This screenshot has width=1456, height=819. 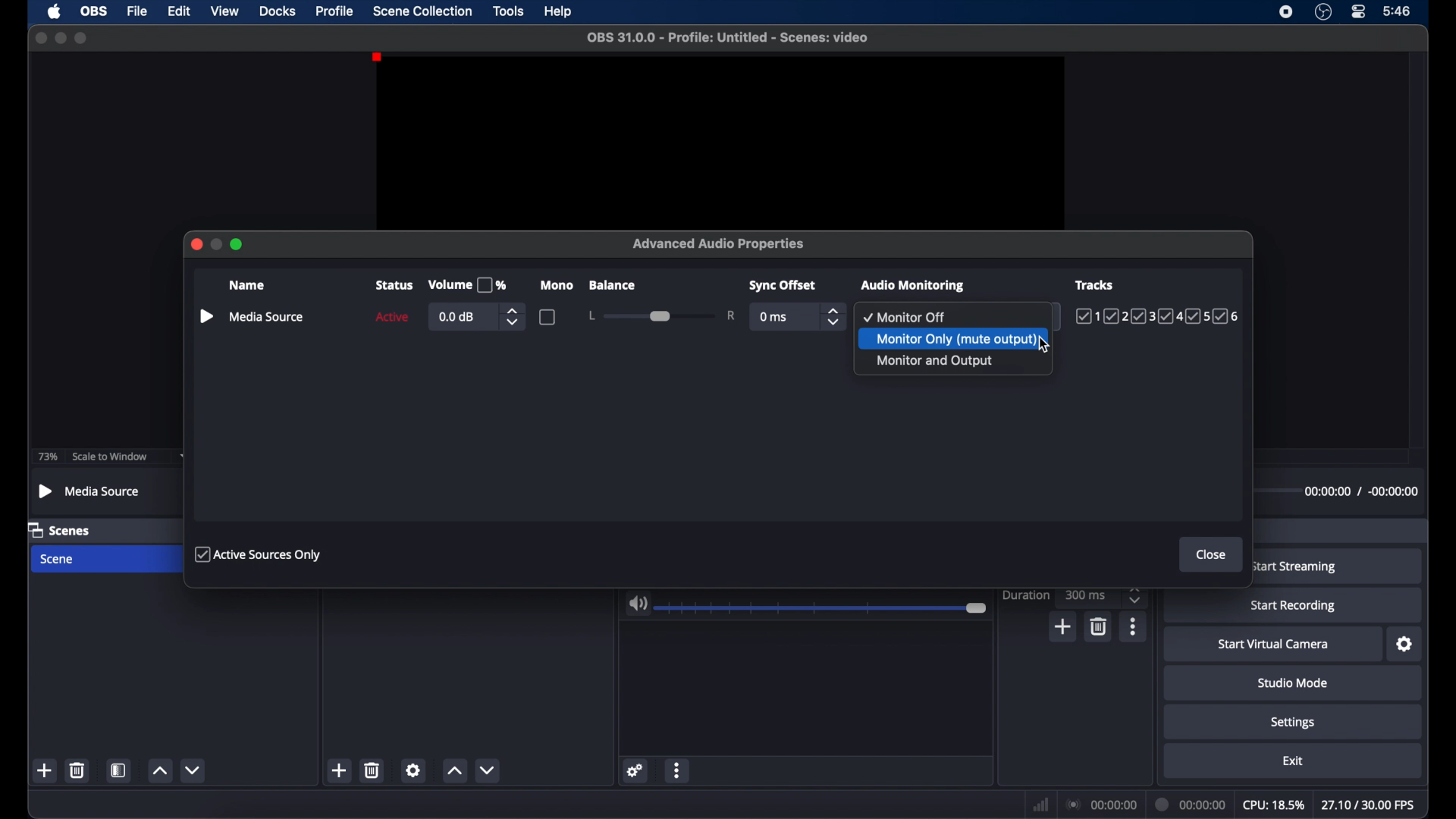 What do you see at coordinates (726, 36) in the screenshot?
I see `filename` at bounding box center [726, 36].